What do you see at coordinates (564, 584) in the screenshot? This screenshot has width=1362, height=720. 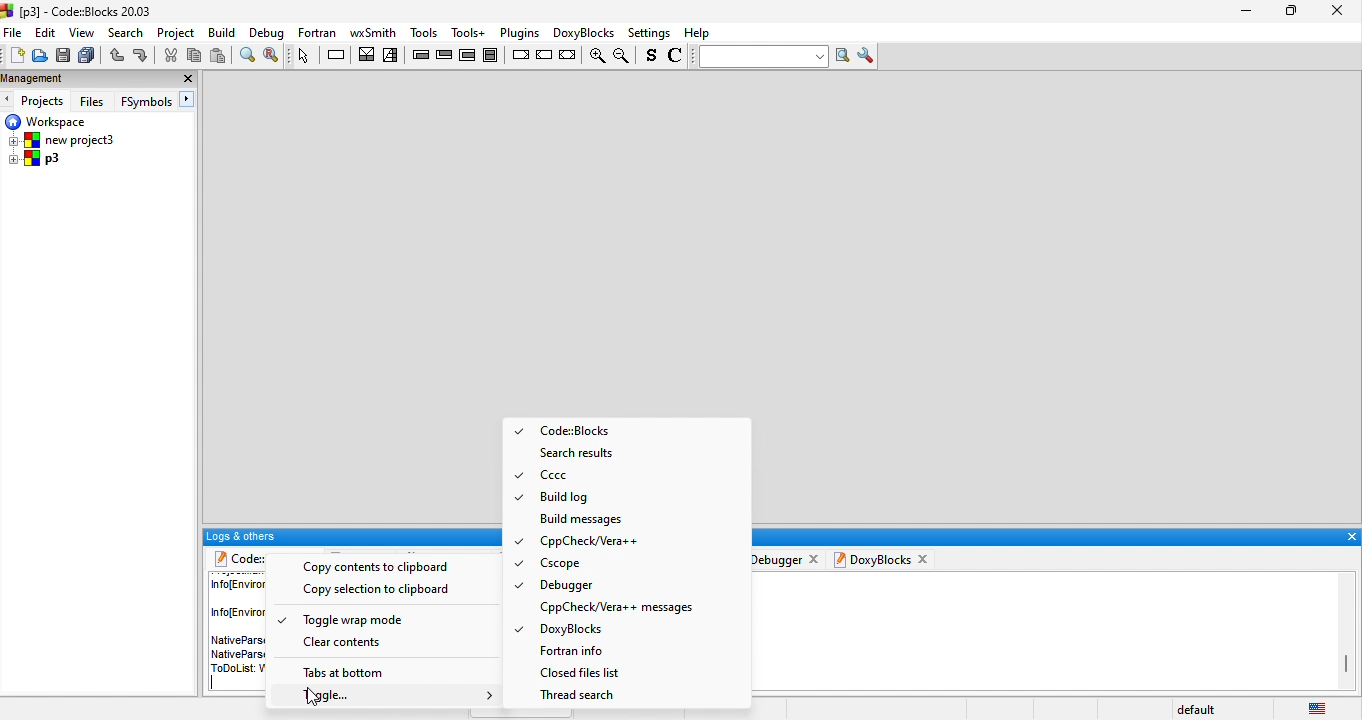 I see `Debugger` at bounding box center [564, 584].